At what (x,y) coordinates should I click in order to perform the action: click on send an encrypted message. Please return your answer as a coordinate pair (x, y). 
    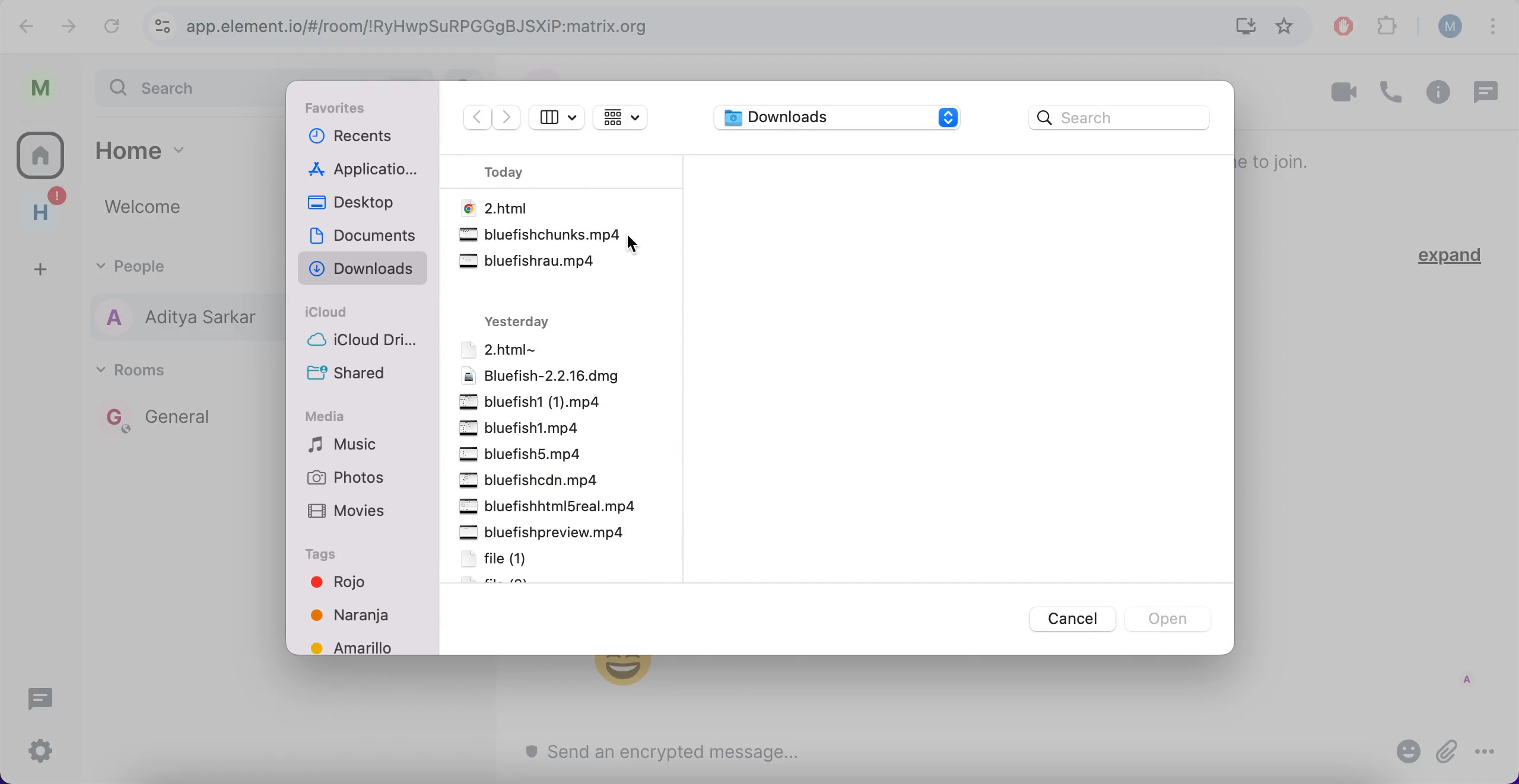
    Looking at the image, I should click on (907, 756).